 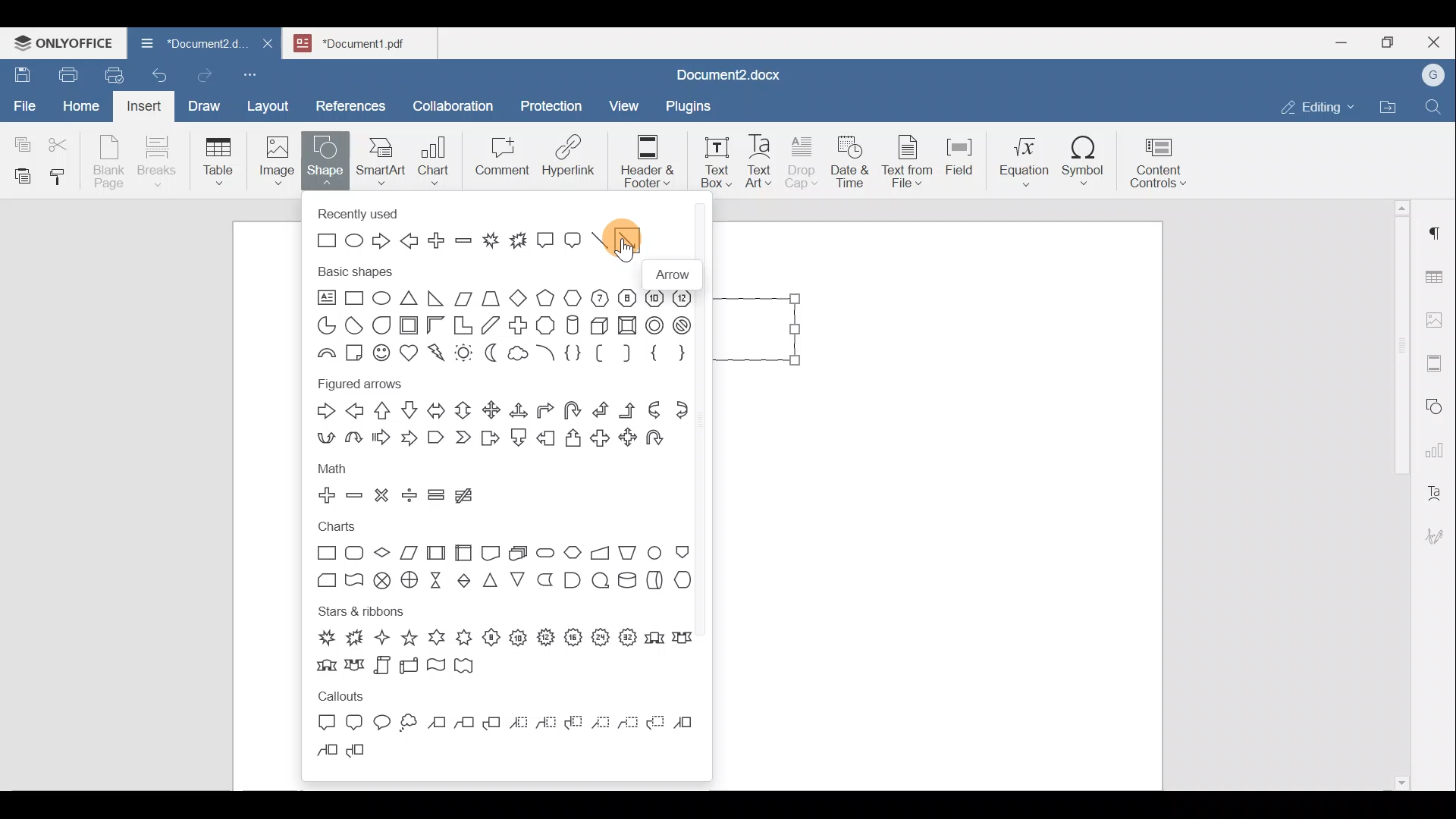 I want to click on Home, so click(x=82, y=105).